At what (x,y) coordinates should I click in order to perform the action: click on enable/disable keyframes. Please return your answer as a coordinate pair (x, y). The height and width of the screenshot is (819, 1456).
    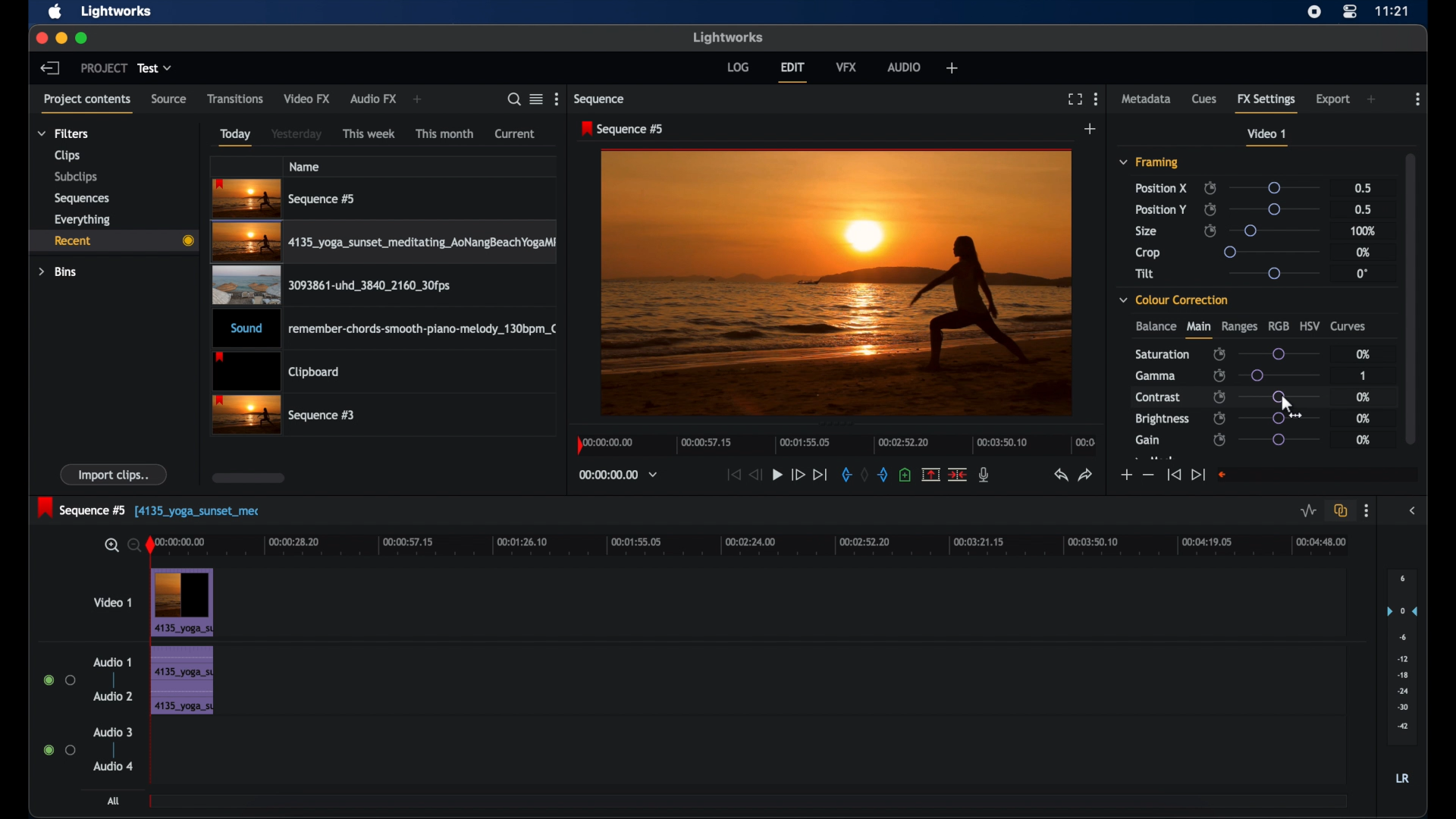
    Looking at the image, I should click on (1210, 188).